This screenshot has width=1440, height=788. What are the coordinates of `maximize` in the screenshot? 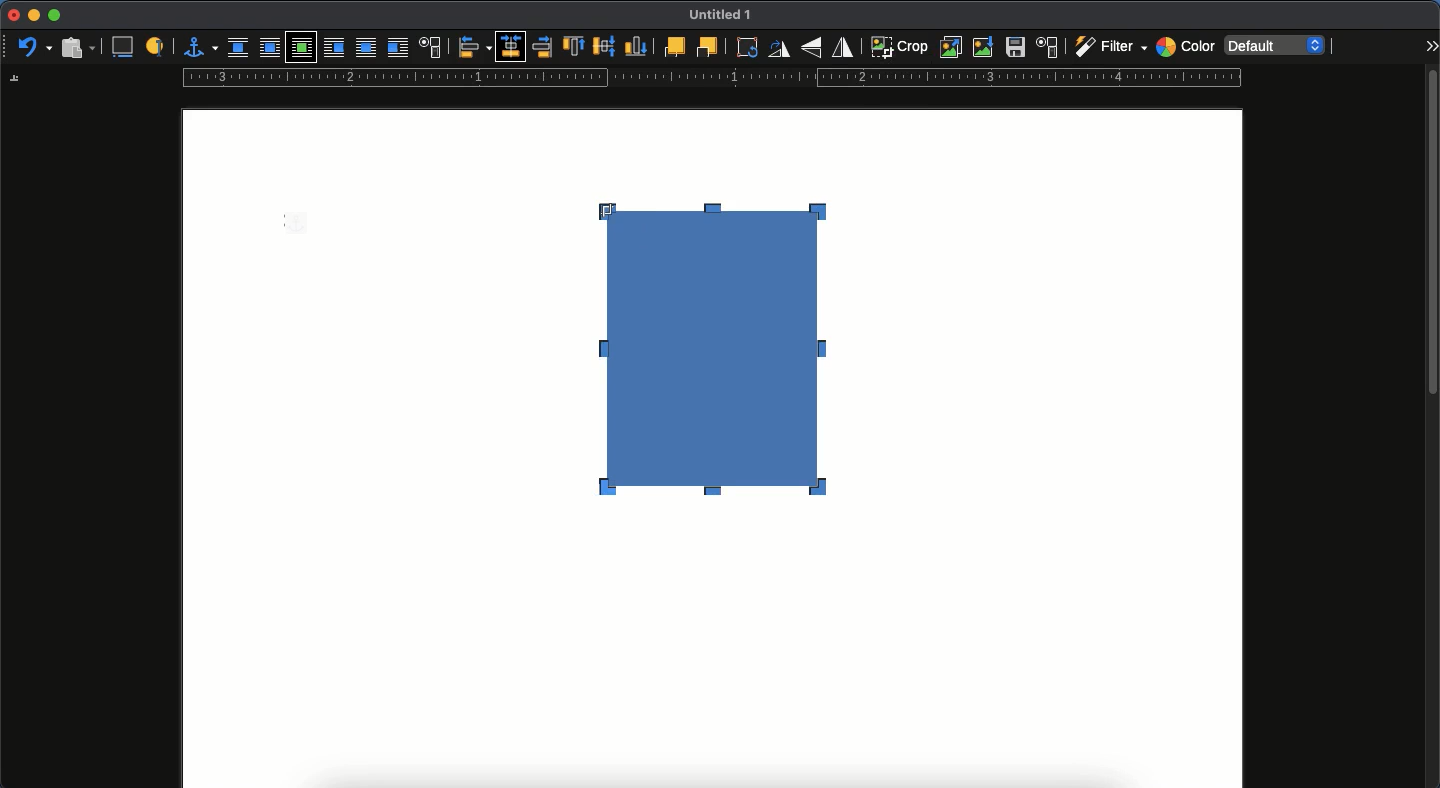 It's located at (54, 16).